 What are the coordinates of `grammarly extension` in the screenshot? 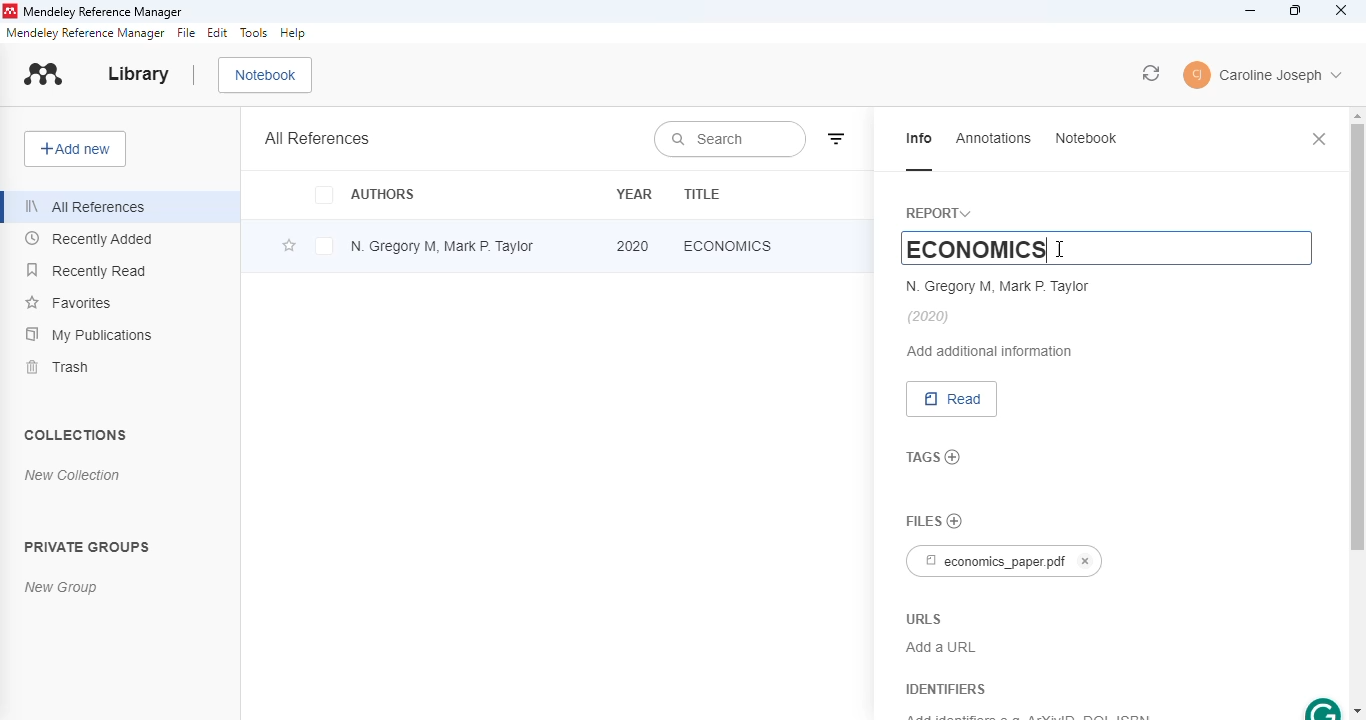 It's located at (1322, 708).